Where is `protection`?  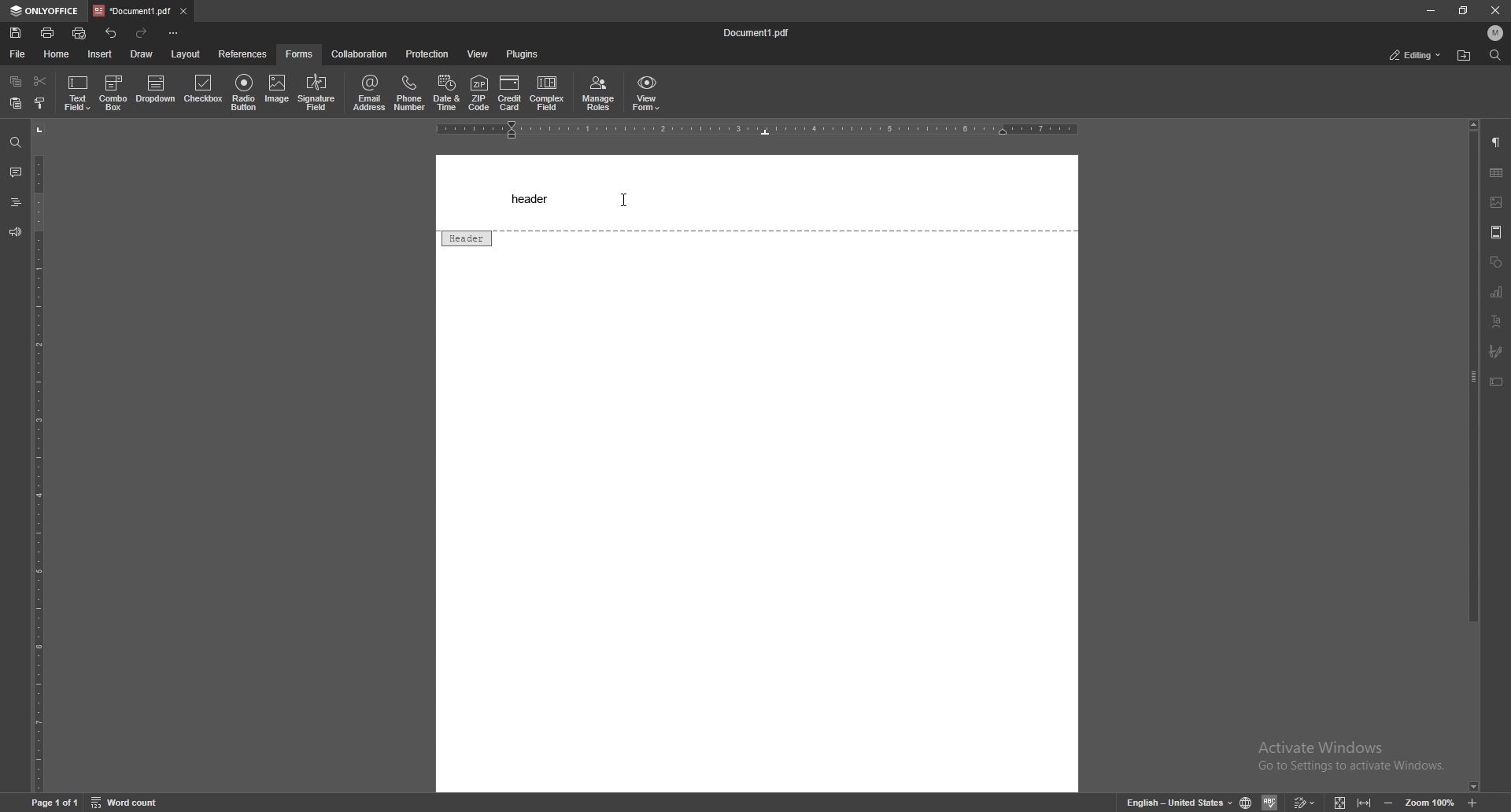 protection is located at coordinates (429, 54).